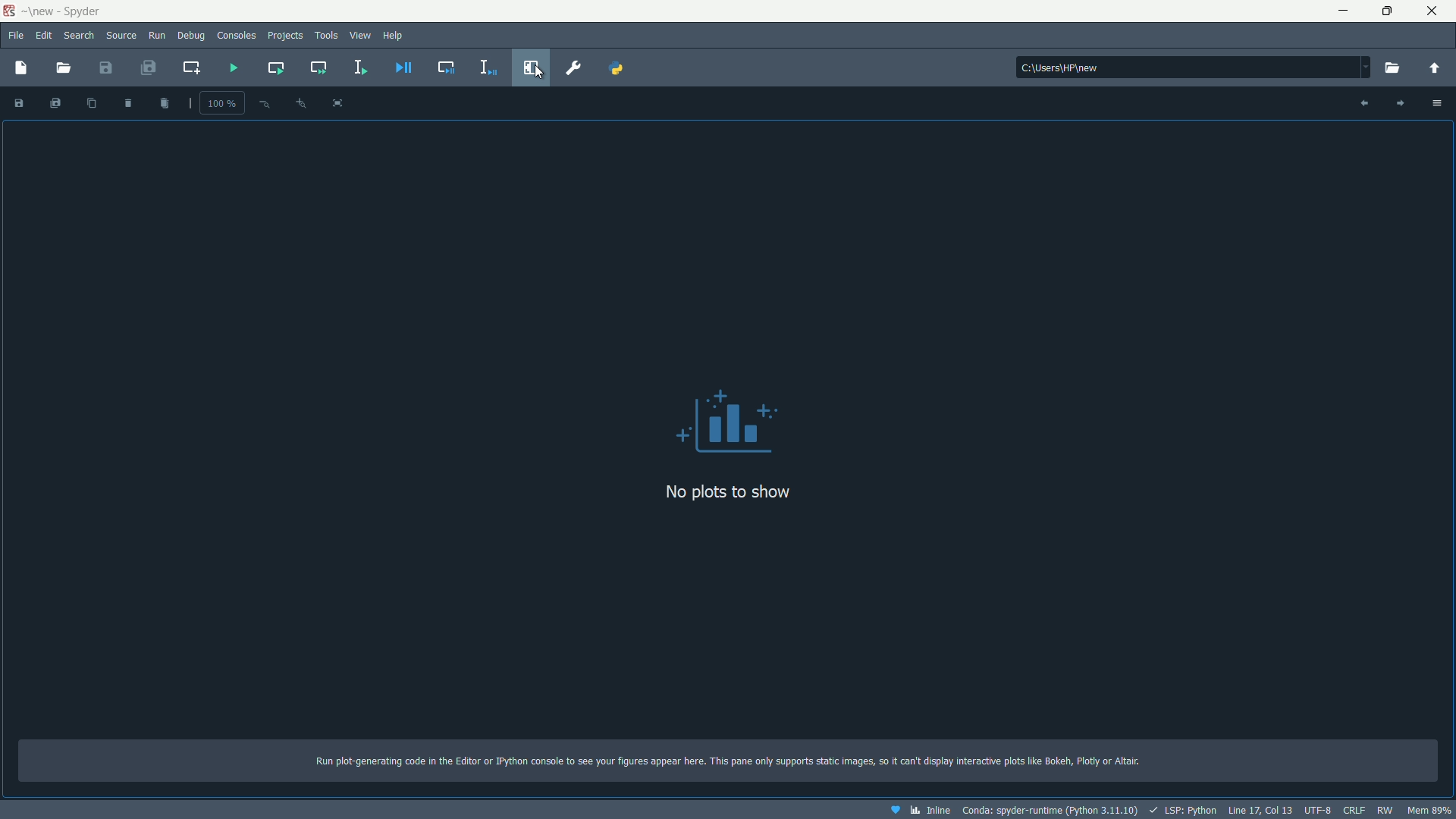 Image resolution: width=1456 pixels, height=819 pixels. Describe the element at coordinates (157, 34) in the screenshot. I see `run` at that location.